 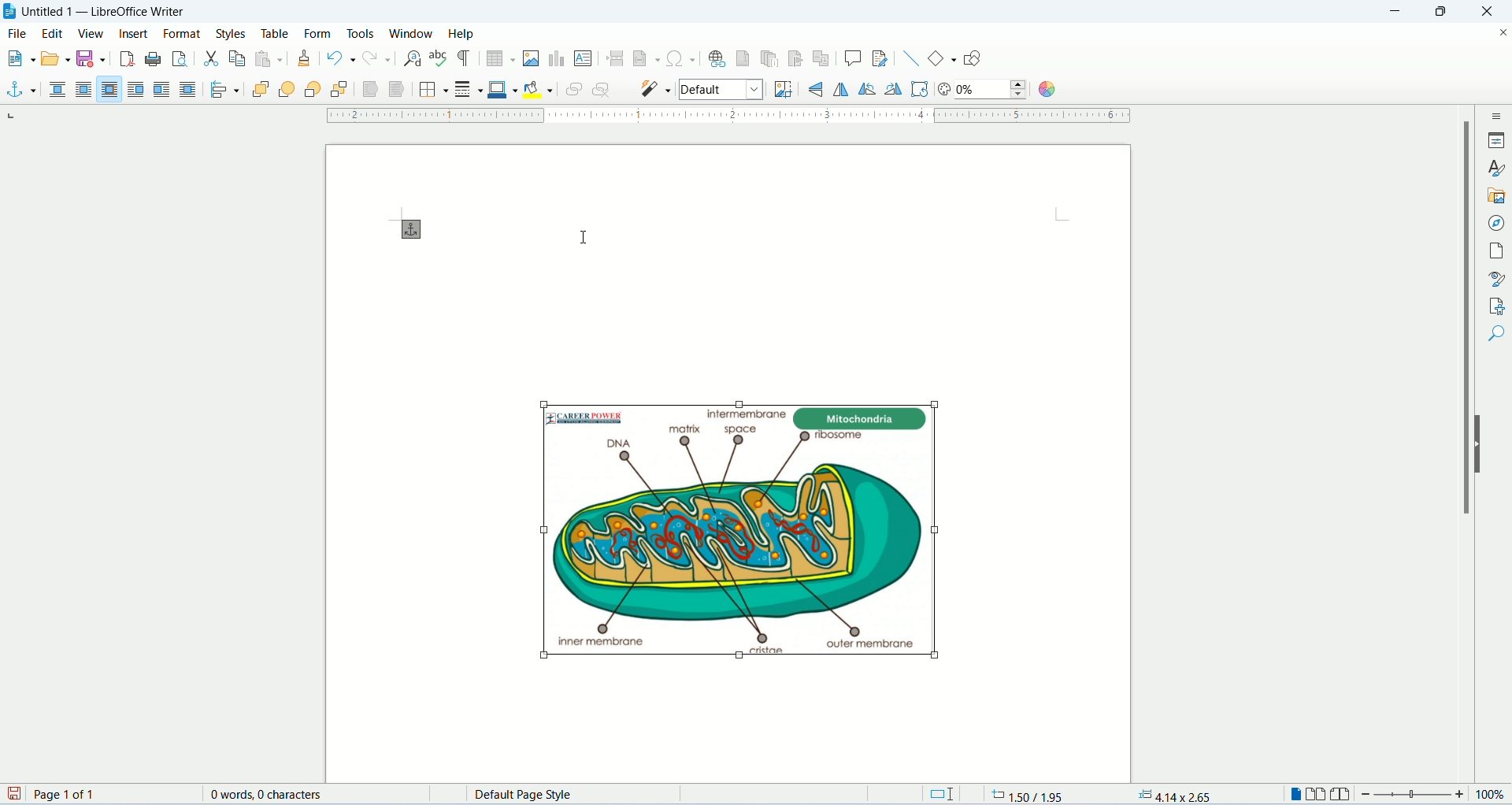 What do you see at coordinates (109, 88) in the screenshot?
I see `optimal` at bounding box center [109, 88].